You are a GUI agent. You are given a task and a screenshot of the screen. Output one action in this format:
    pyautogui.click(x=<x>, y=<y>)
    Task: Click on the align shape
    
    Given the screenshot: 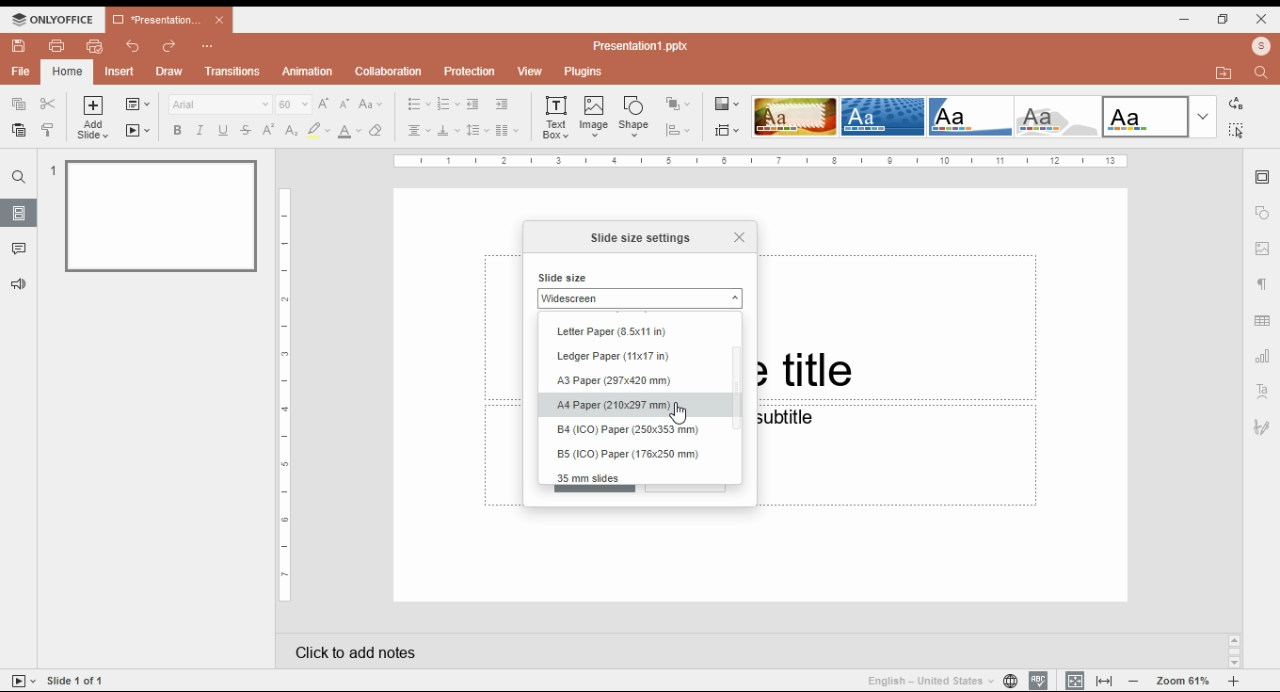 What is the action you would take?
    pyautogui.click(x=680, y=130)
    